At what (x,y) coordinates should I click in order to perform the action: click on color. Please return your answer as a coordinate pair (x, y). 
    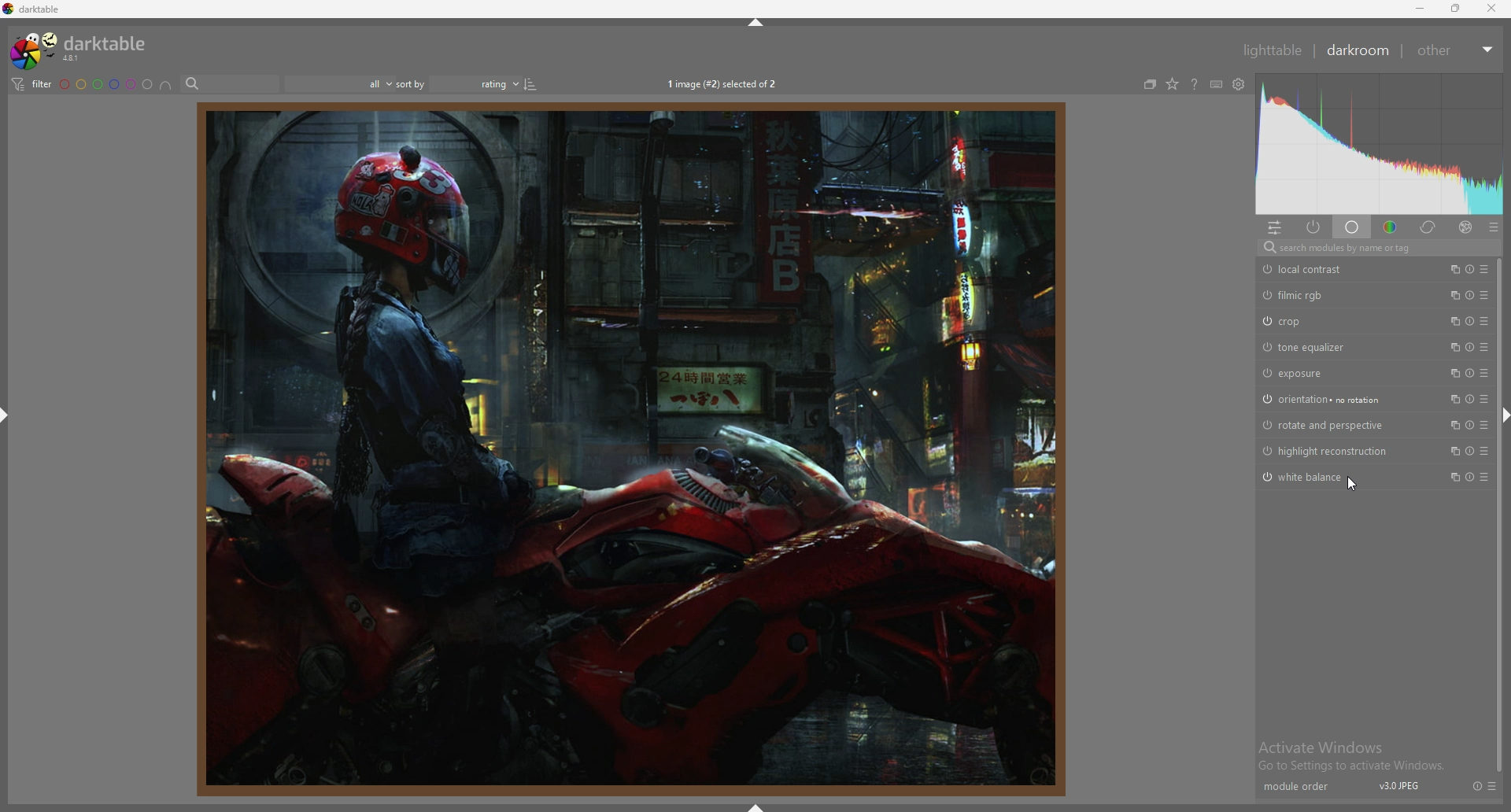
    Looking at the image, I should click on (1390, 228).